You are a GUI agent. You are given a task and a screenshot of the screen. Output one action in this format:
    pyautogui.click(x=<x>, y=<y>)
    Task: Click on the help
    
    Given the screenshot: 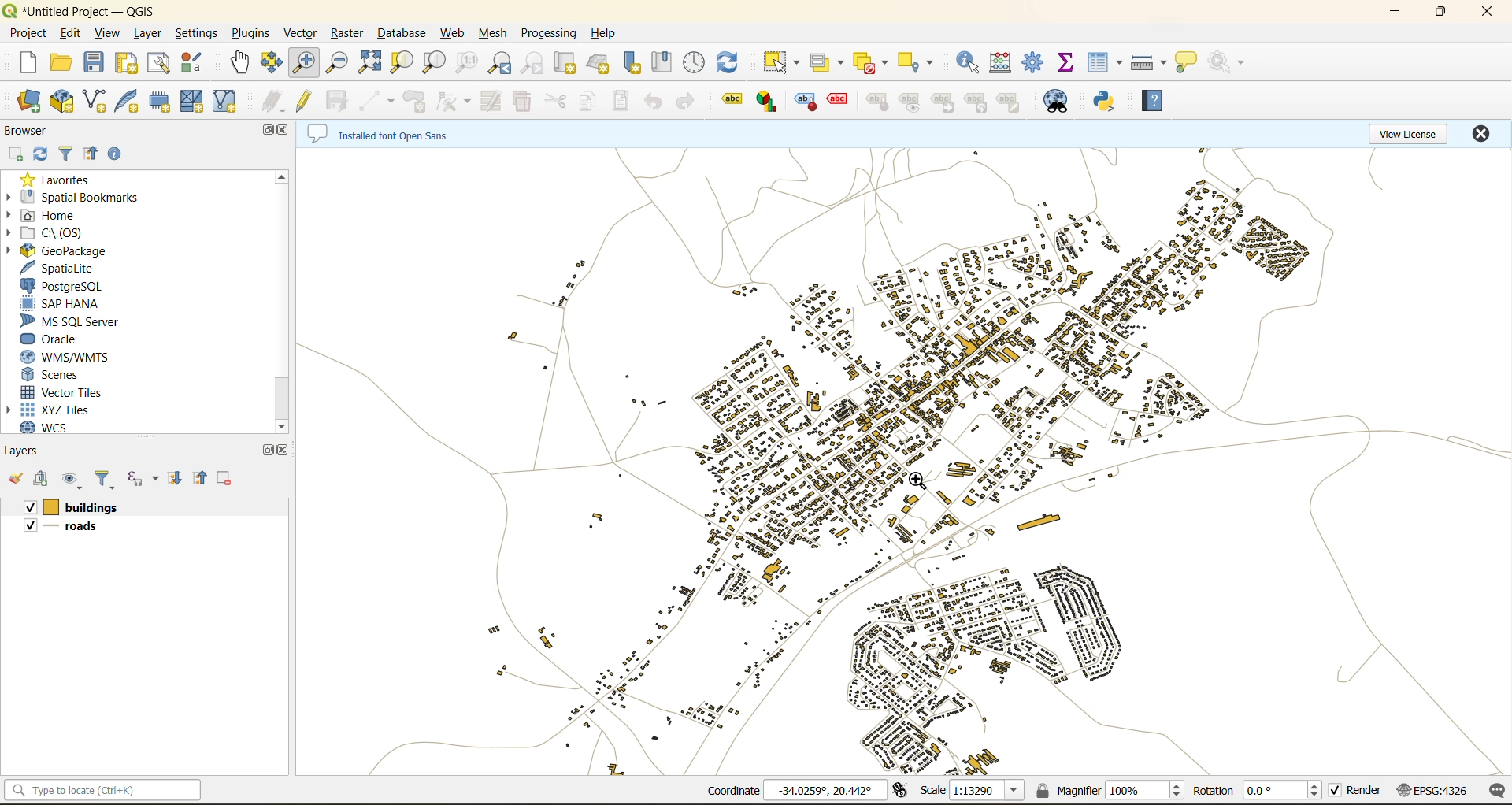 What is the action you would take?
    pyautogui.click(x=613, y=33)
    